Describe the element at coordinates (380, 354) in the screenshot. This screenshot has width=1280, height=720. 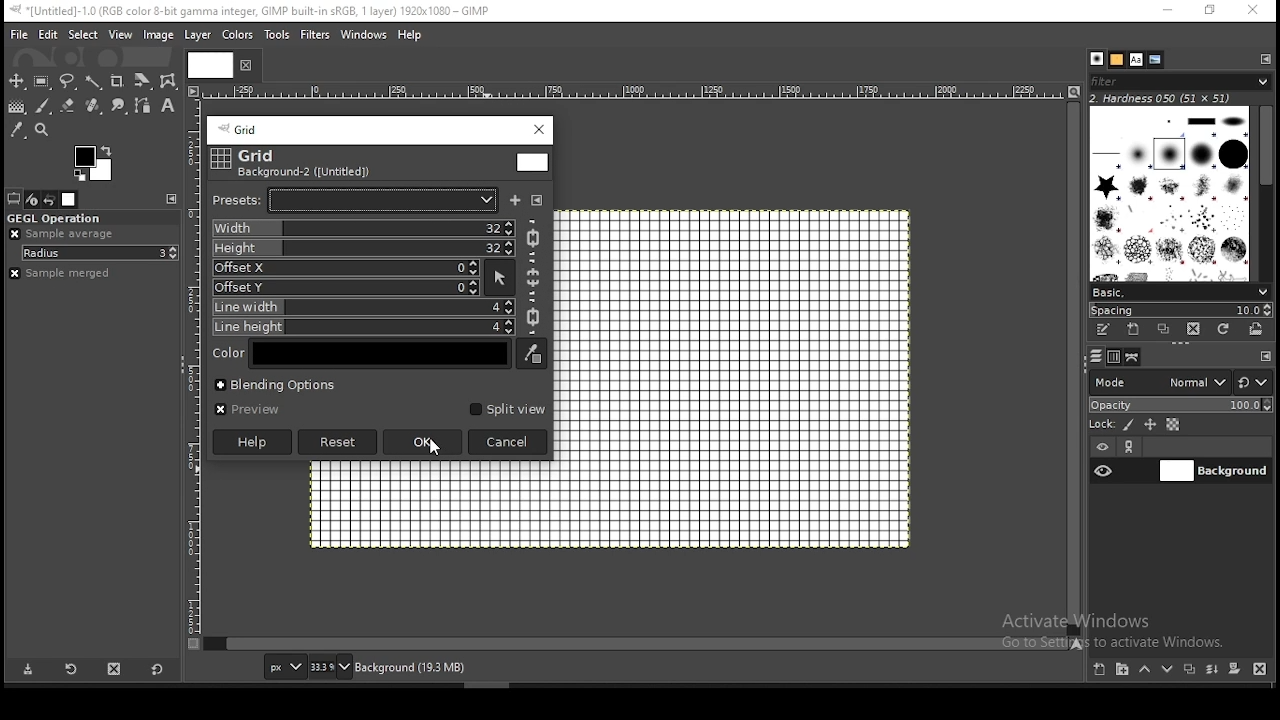
I see `color` at that location.